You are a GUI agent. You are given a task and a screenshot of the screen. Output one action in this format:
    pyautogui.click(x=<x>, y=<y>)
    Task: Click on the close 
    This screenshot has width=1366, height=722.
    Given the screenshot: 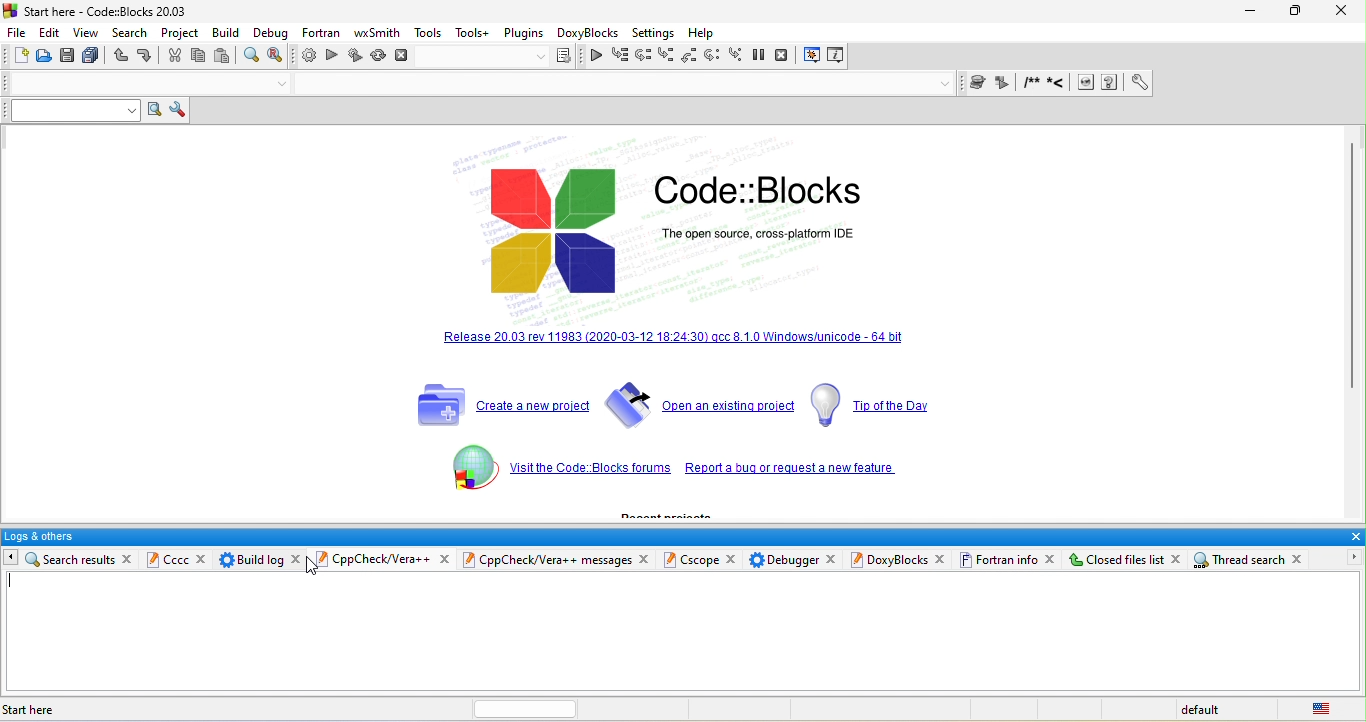 What is the action you would take?
    pyautogui.click(x=301, y=561)
    